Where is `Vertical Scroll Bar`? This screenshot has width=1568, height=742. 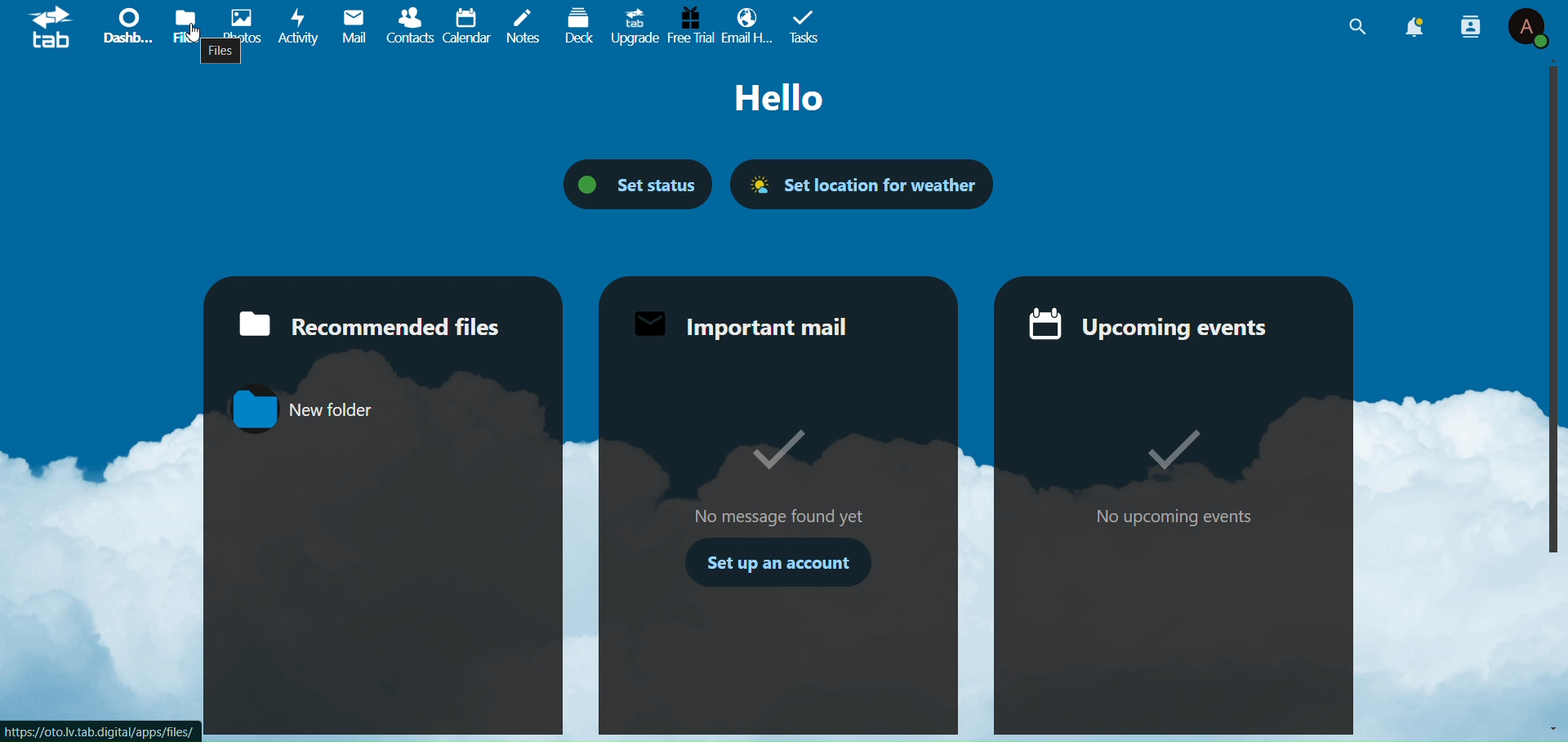
Vertical Scroll Bar is located at coordinates (1543, 315).